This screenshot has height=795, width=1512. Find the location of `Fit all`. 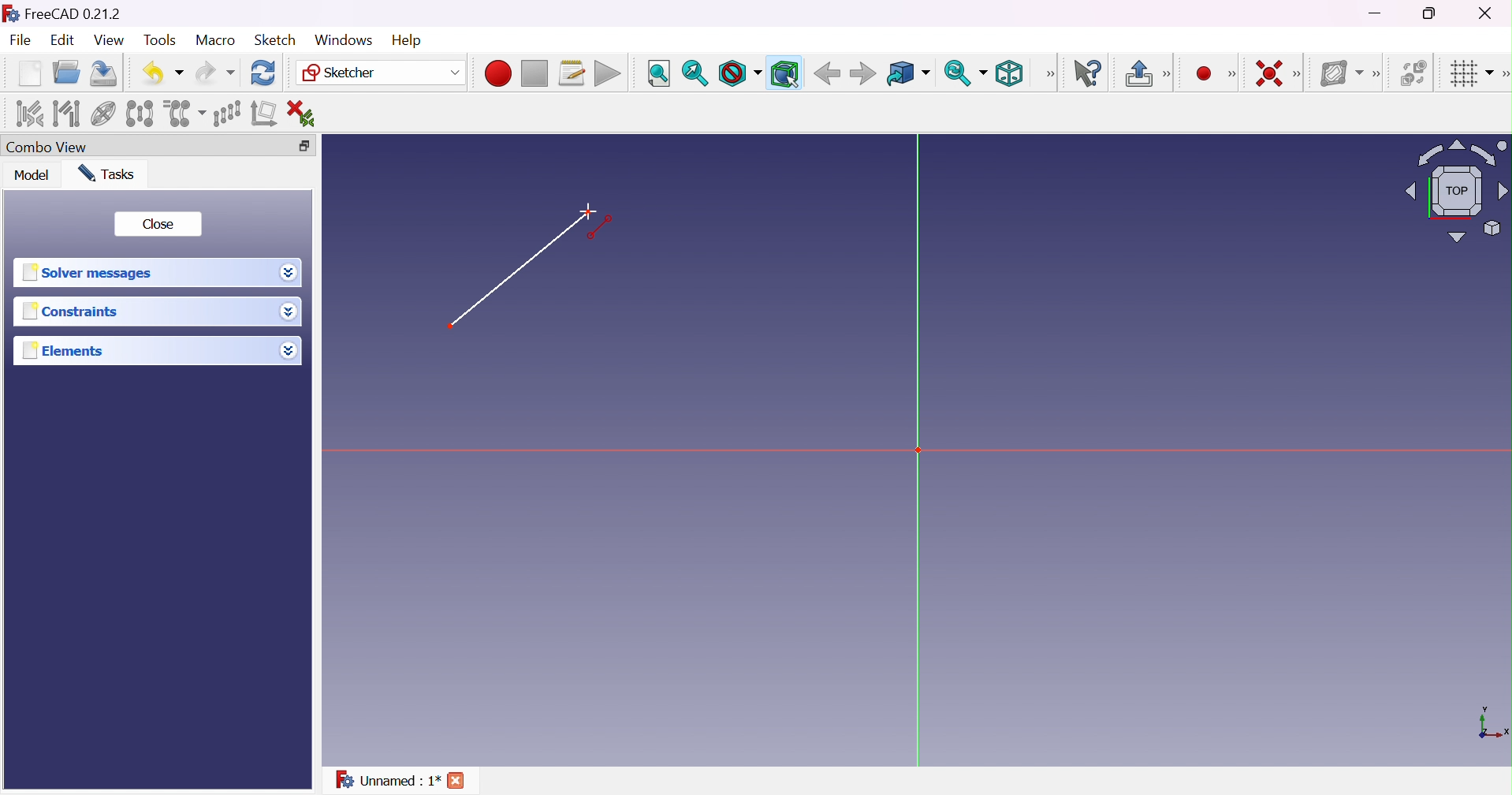

Fit all is located at coordinates (657, 73).